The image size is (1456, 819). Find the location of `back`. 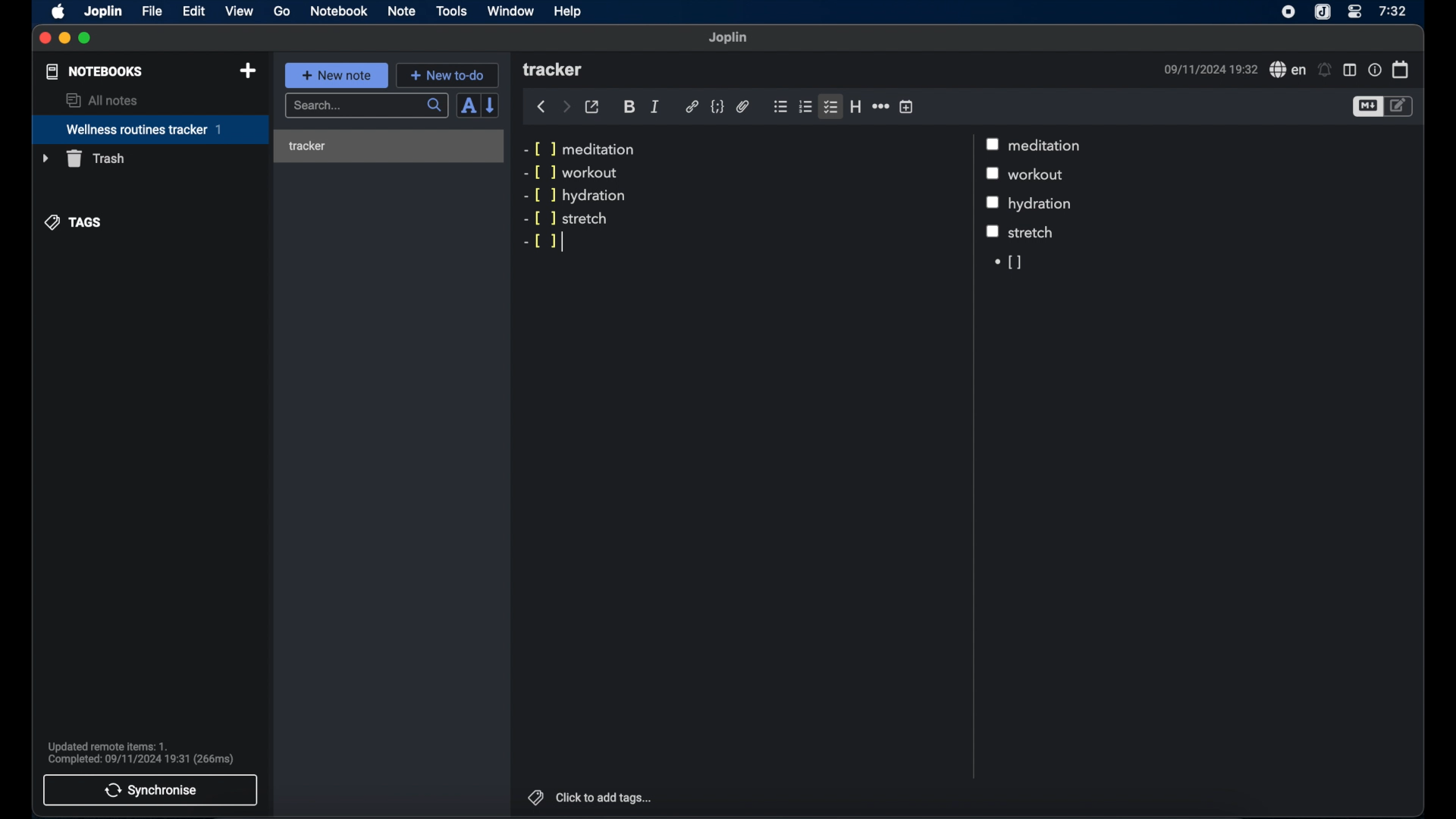

back is located at coordinates (541, 107).